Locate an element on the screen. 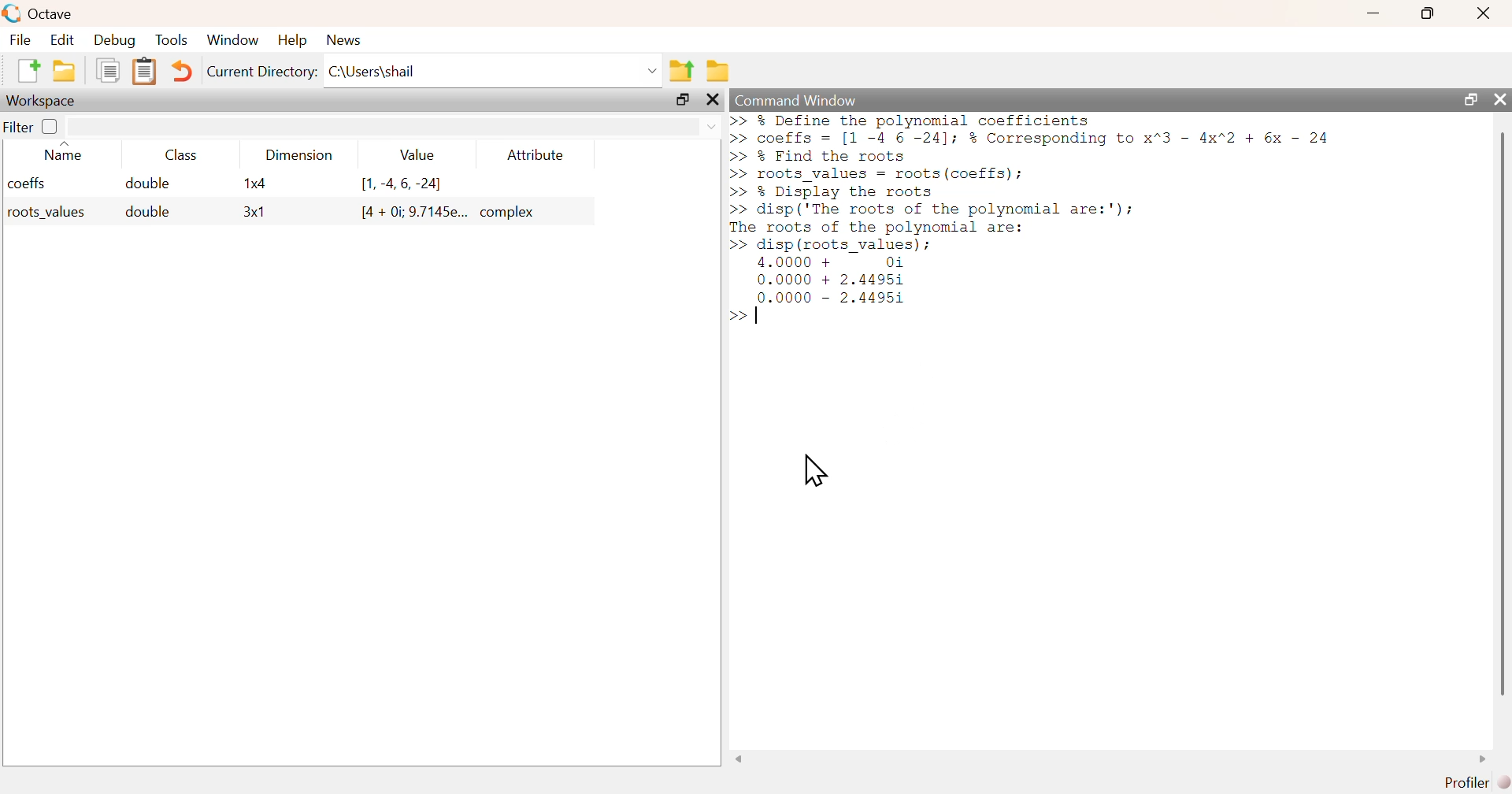  [4 + 0i; 9.7145e... is located at coordinates (413, 212).